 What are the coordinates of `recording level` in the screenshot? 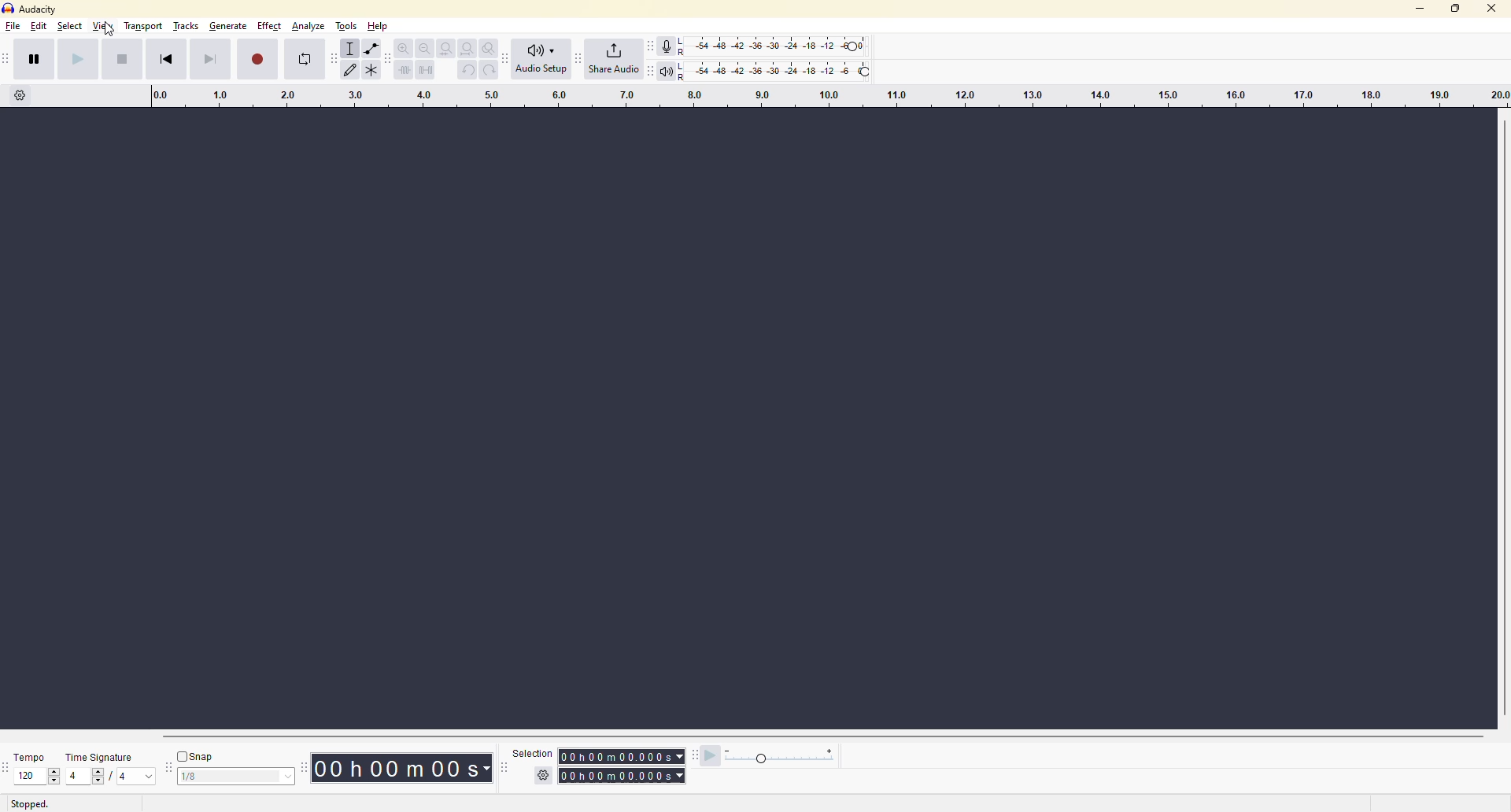 It's located at (791, 45).